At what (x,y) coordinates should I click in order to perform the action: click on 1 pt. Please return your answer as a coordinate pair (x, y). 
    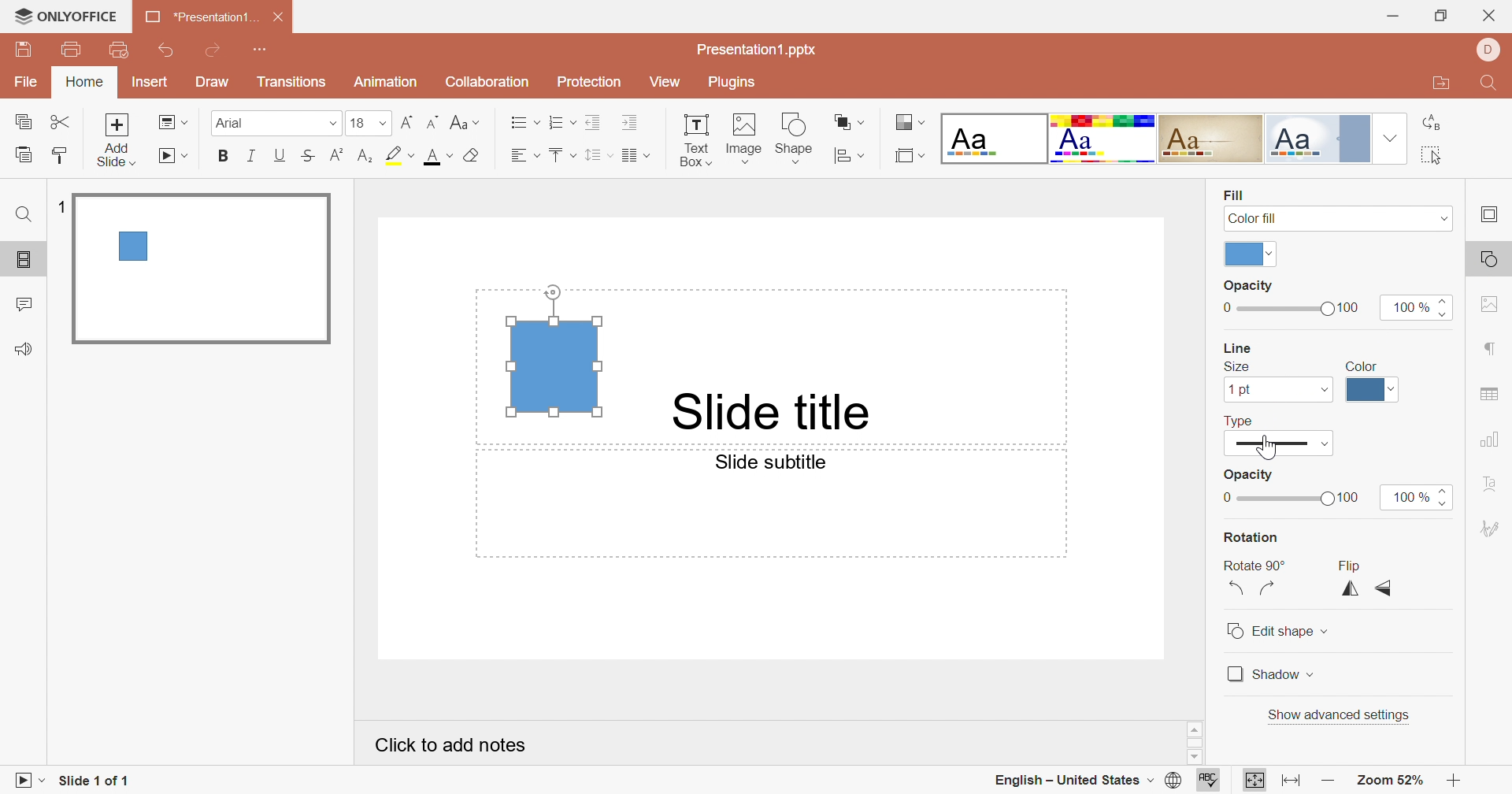
    Looking at the image, I should click on (1239, 390).